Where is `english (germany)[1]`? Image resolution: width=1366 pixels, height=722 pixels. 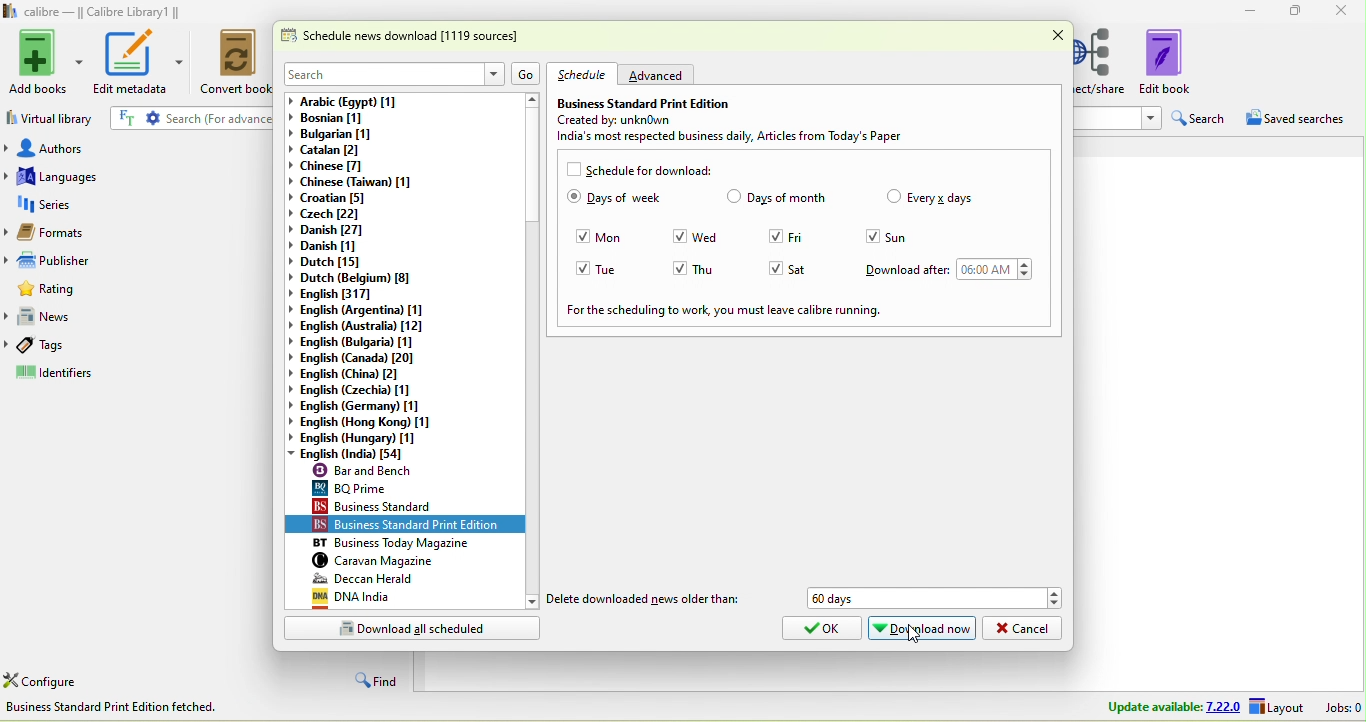 english (germany)[1] is located at coordinates (369, 406).